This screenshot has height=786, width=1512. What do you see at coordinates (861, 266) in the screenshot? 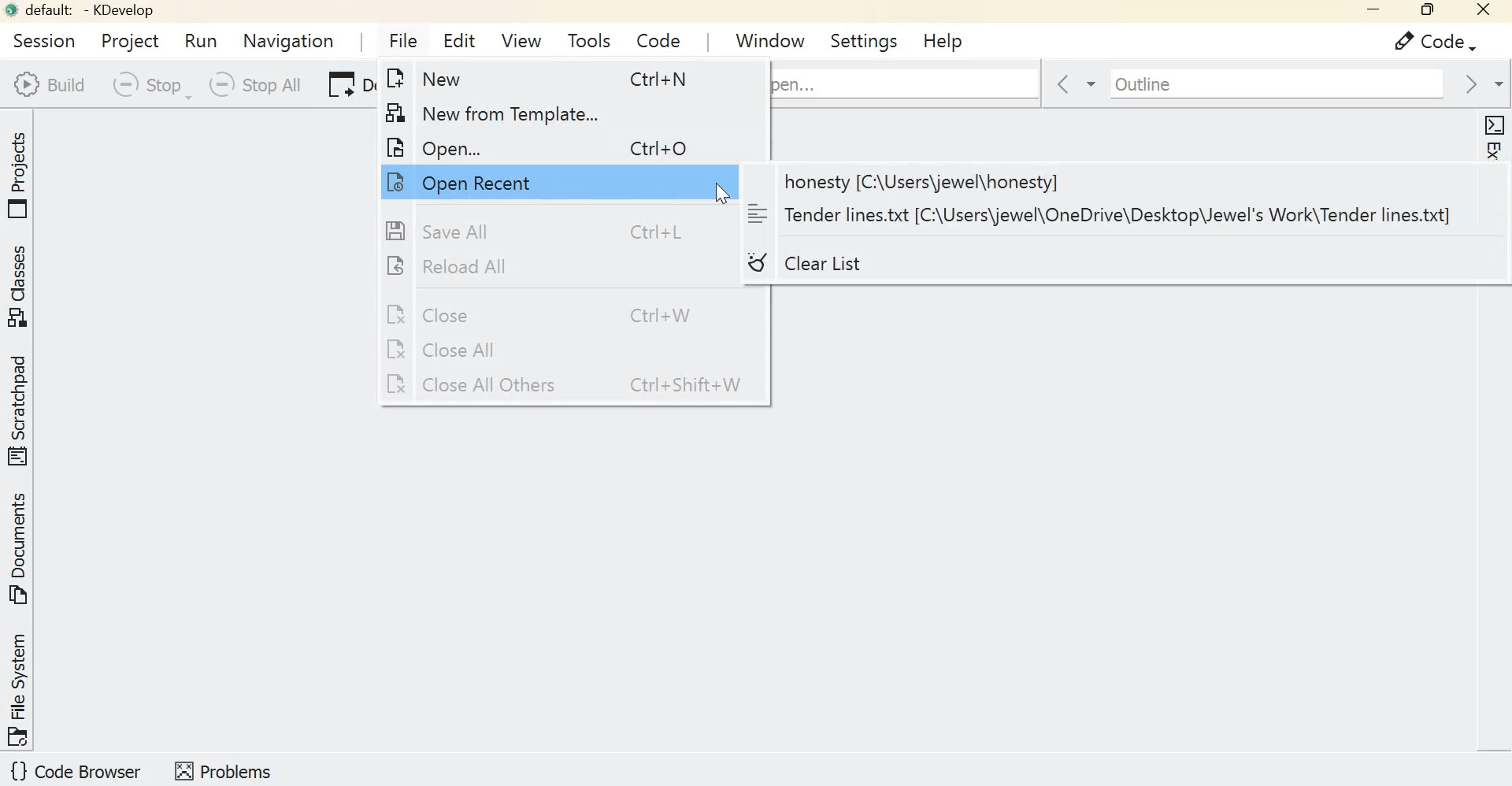
I see `Clear list` at bounding box center [861, 266].